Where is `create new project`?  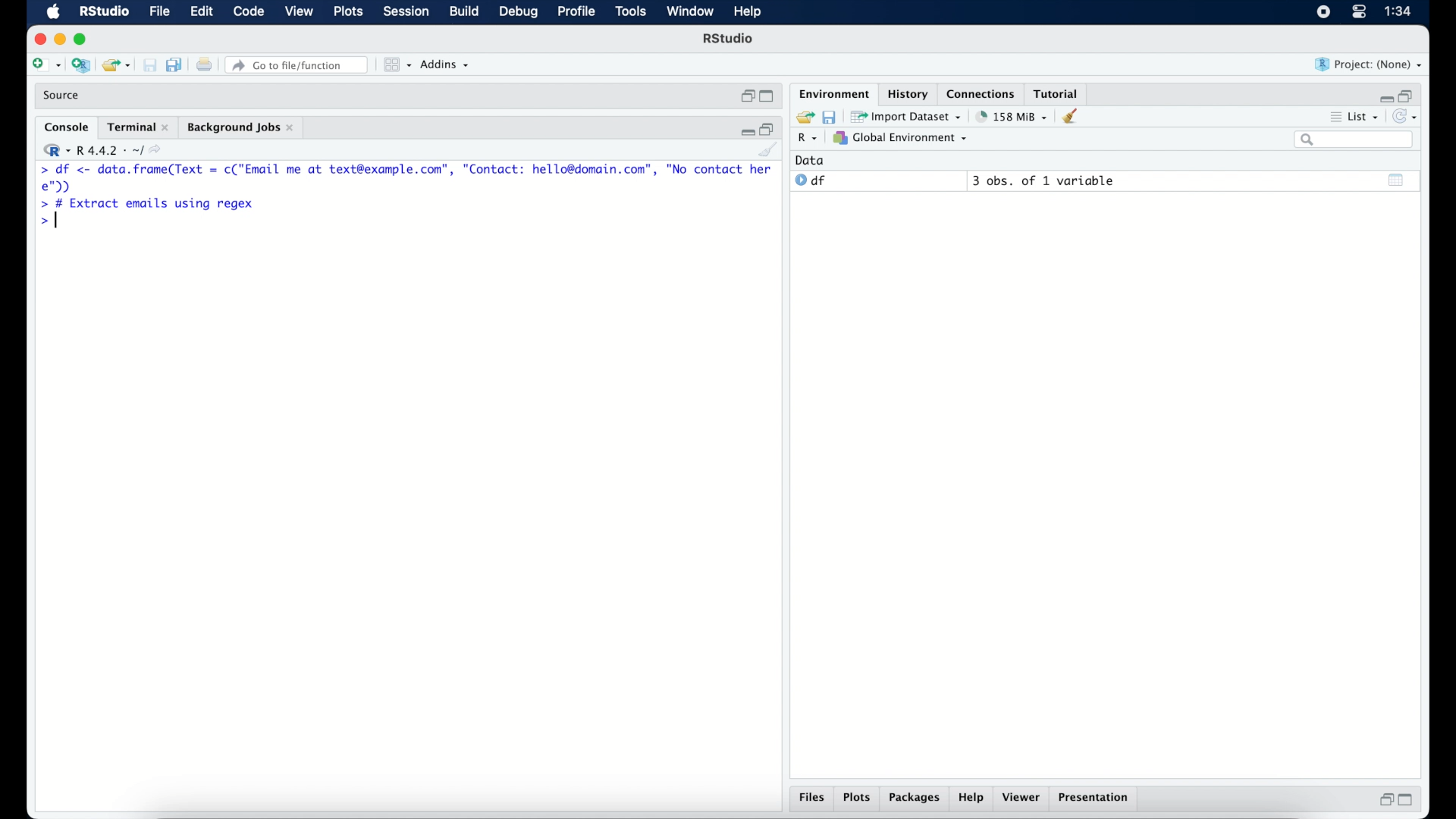
create new project is located at coordinates (80, 64).